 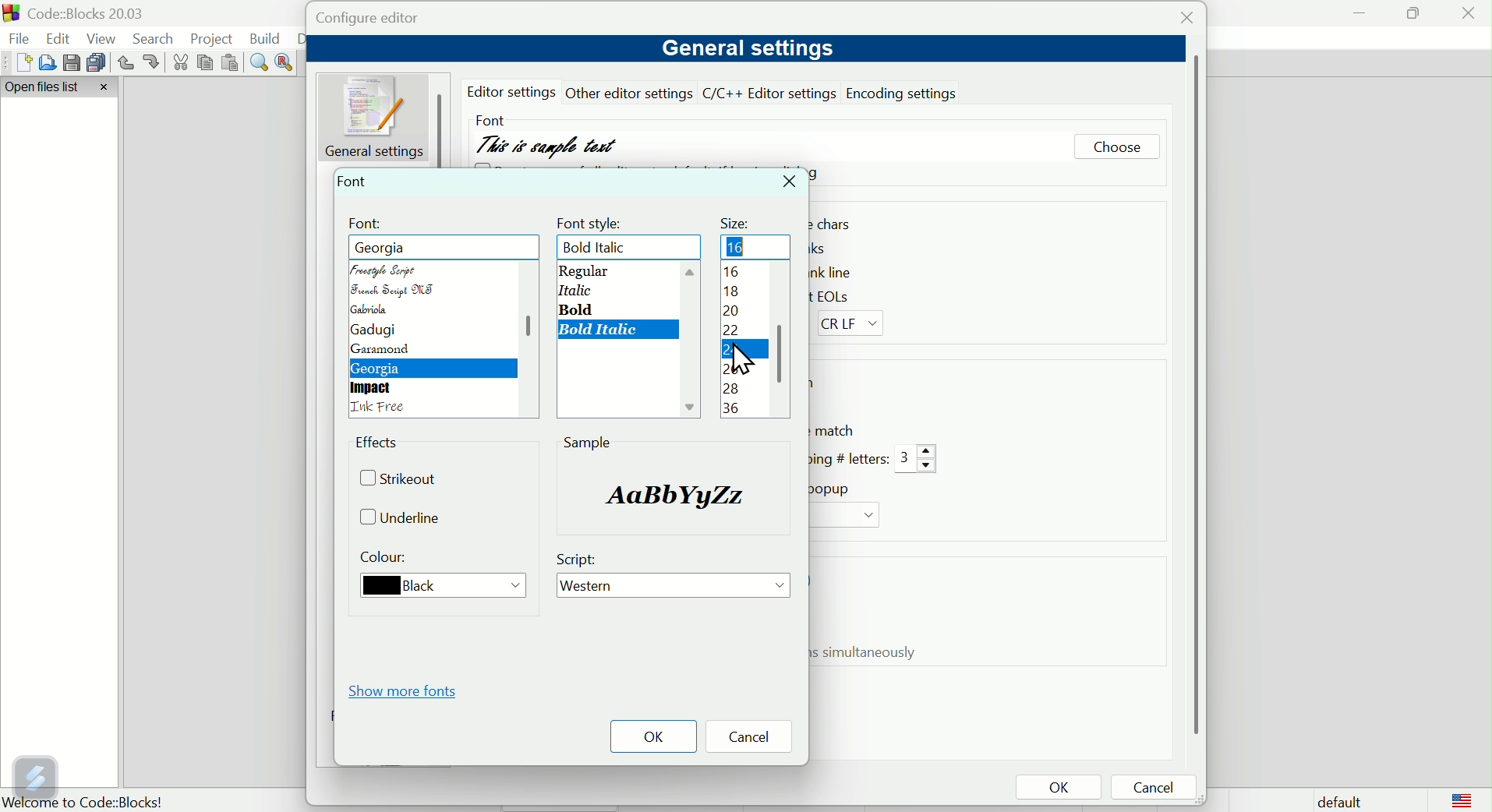 What do you see at coordinates (783, 344) in the screenshot?
I see `scroll bar` at bounding box center [783, 344].